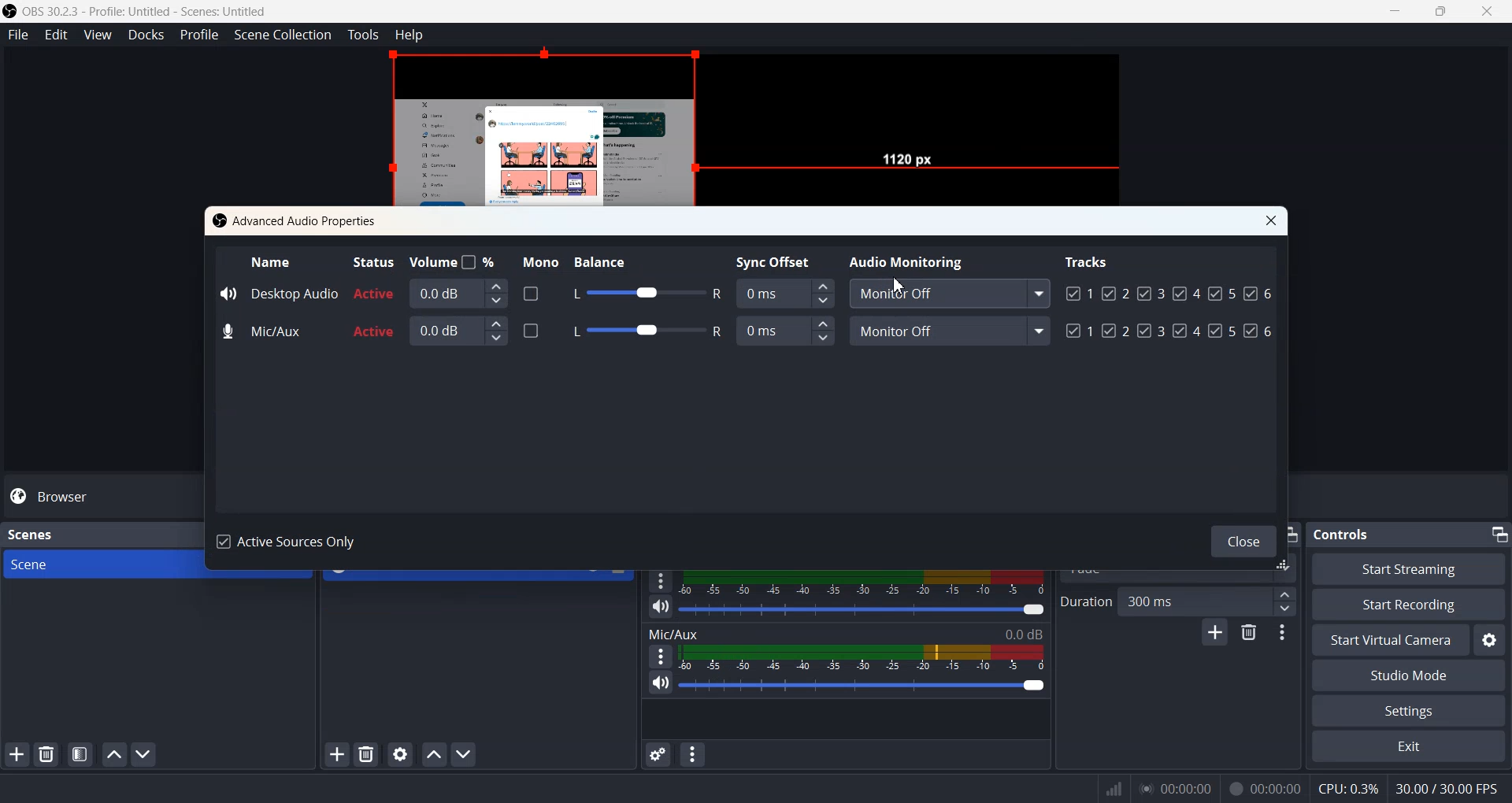 Image resolution: width=1512 pixels, height=803 pixels. Describe the element at coordinates (1407, 712) in the screenshot. I see `Settings` at that location.